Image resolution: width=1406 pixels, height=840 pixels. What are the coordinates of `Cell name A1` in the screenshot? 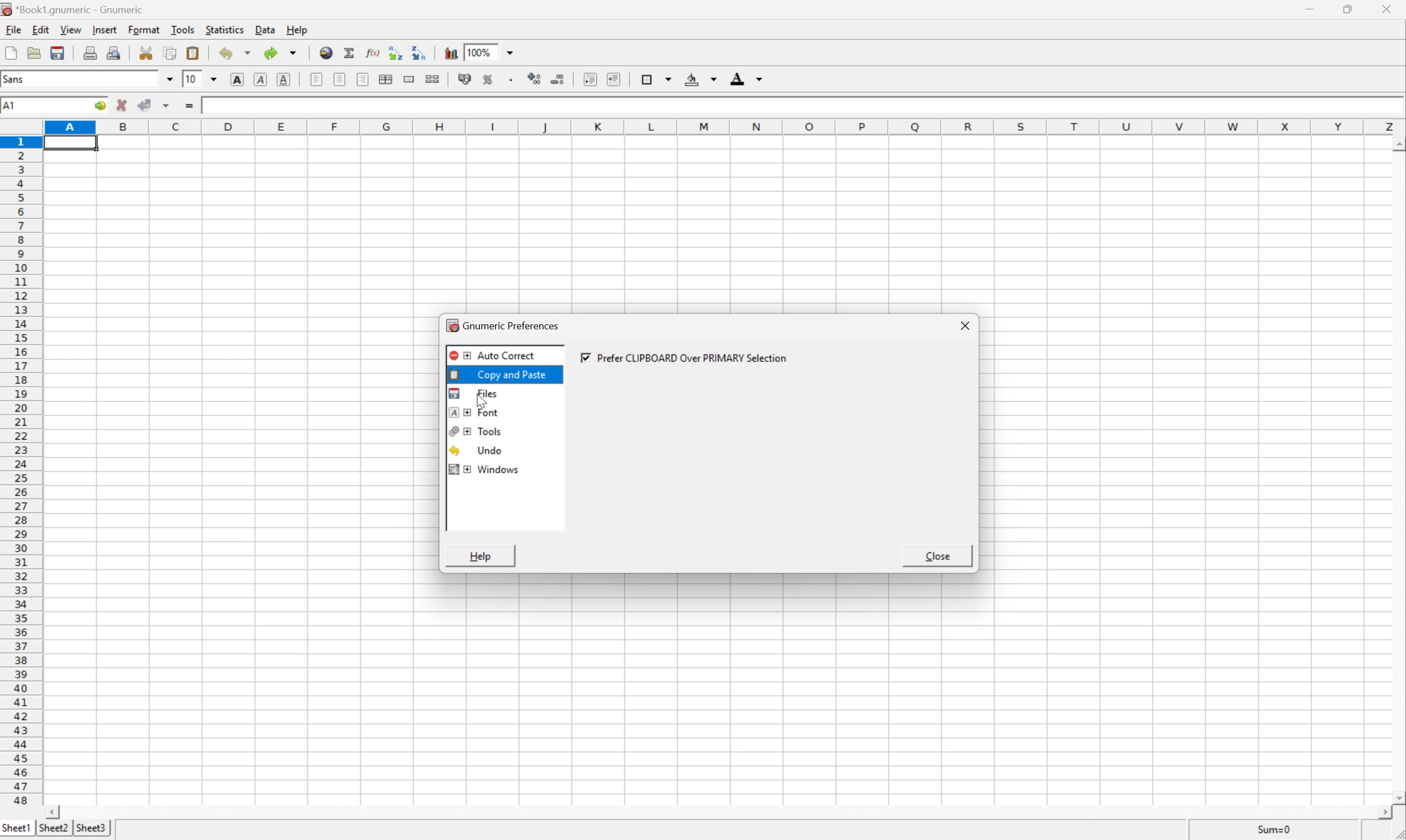 It's located at (39, 106).